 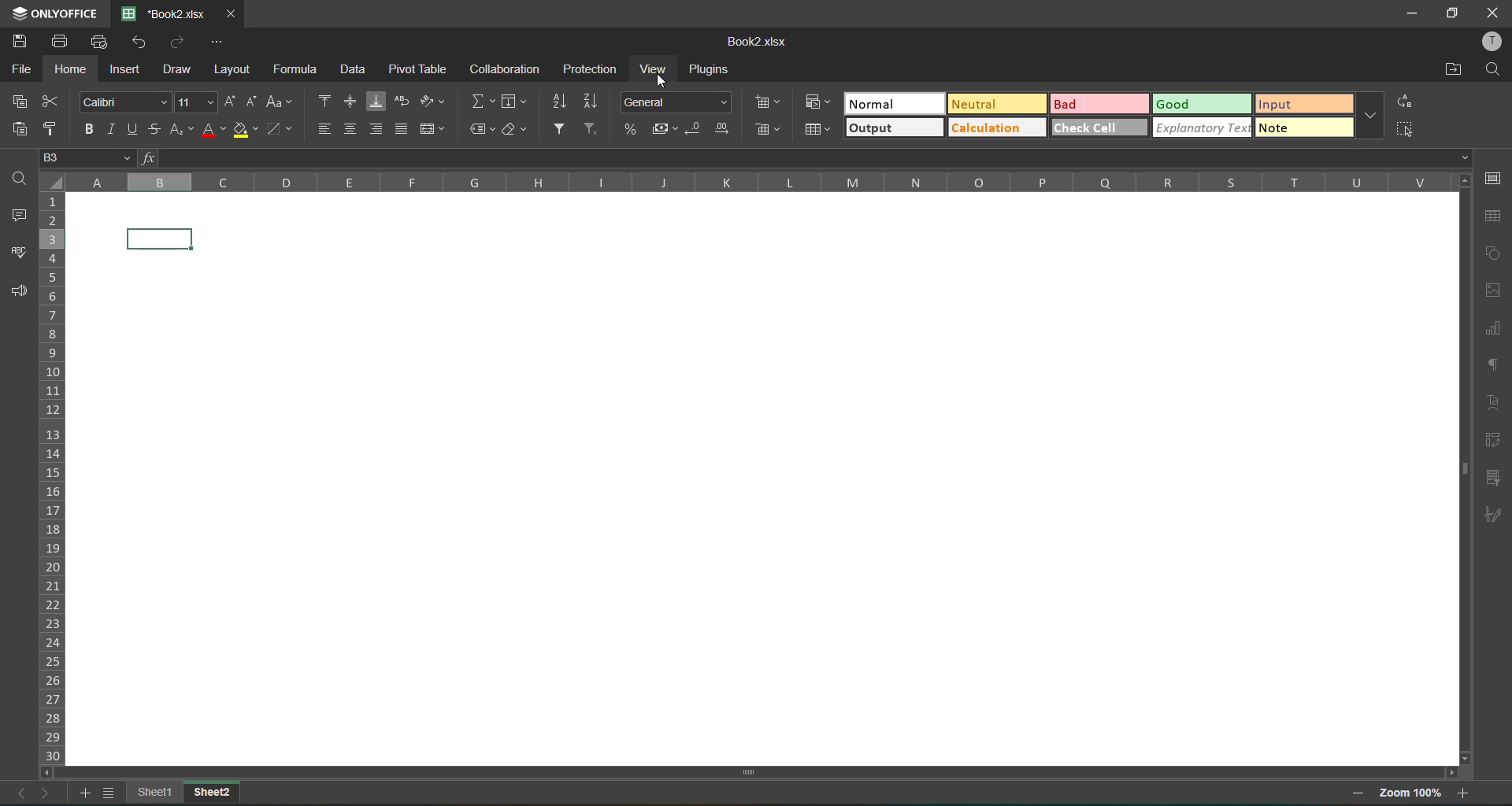 I want to click on cursor, so click(x=664, y=82).